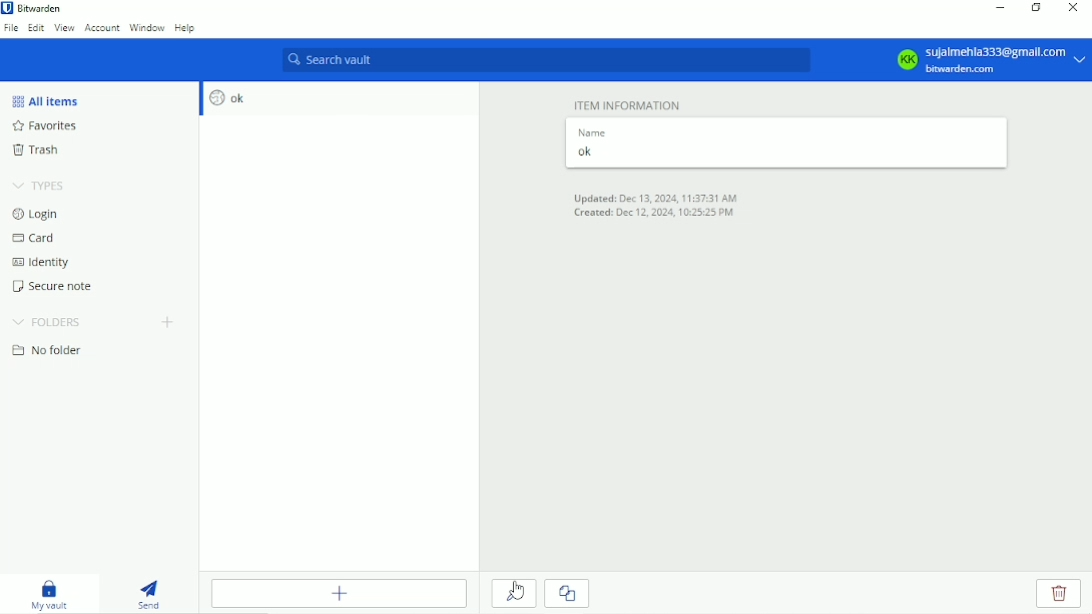  What do you see at coordinates (655, 196) in the screenshot?
I see `Updated on Dec 13, 2024, 11:37:31 AM` at bounding box center [655, 196].